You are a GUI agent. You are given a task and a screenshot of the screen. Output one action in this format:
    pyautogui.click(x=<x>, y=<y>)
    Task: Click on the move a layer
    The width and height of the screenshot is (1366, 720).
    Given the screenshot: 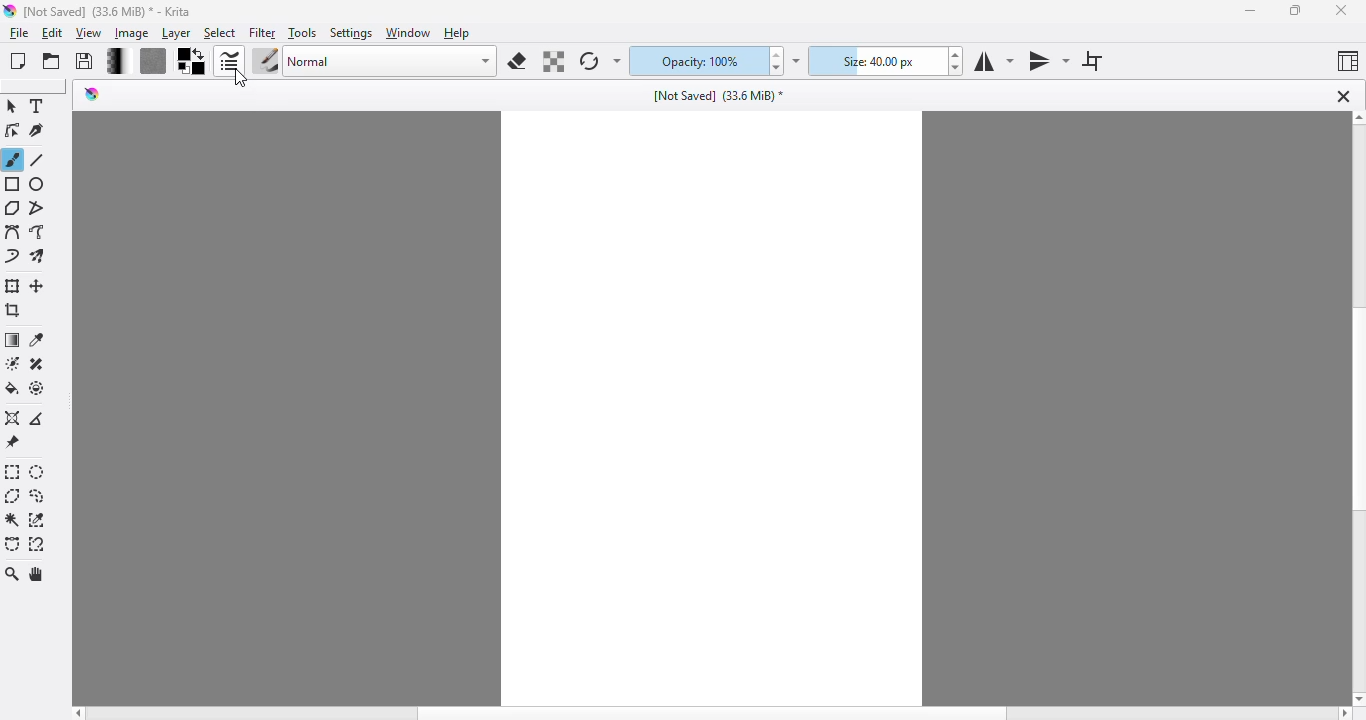 What is the action you would take?
    pyautogui.click(x=39, y=287)
    